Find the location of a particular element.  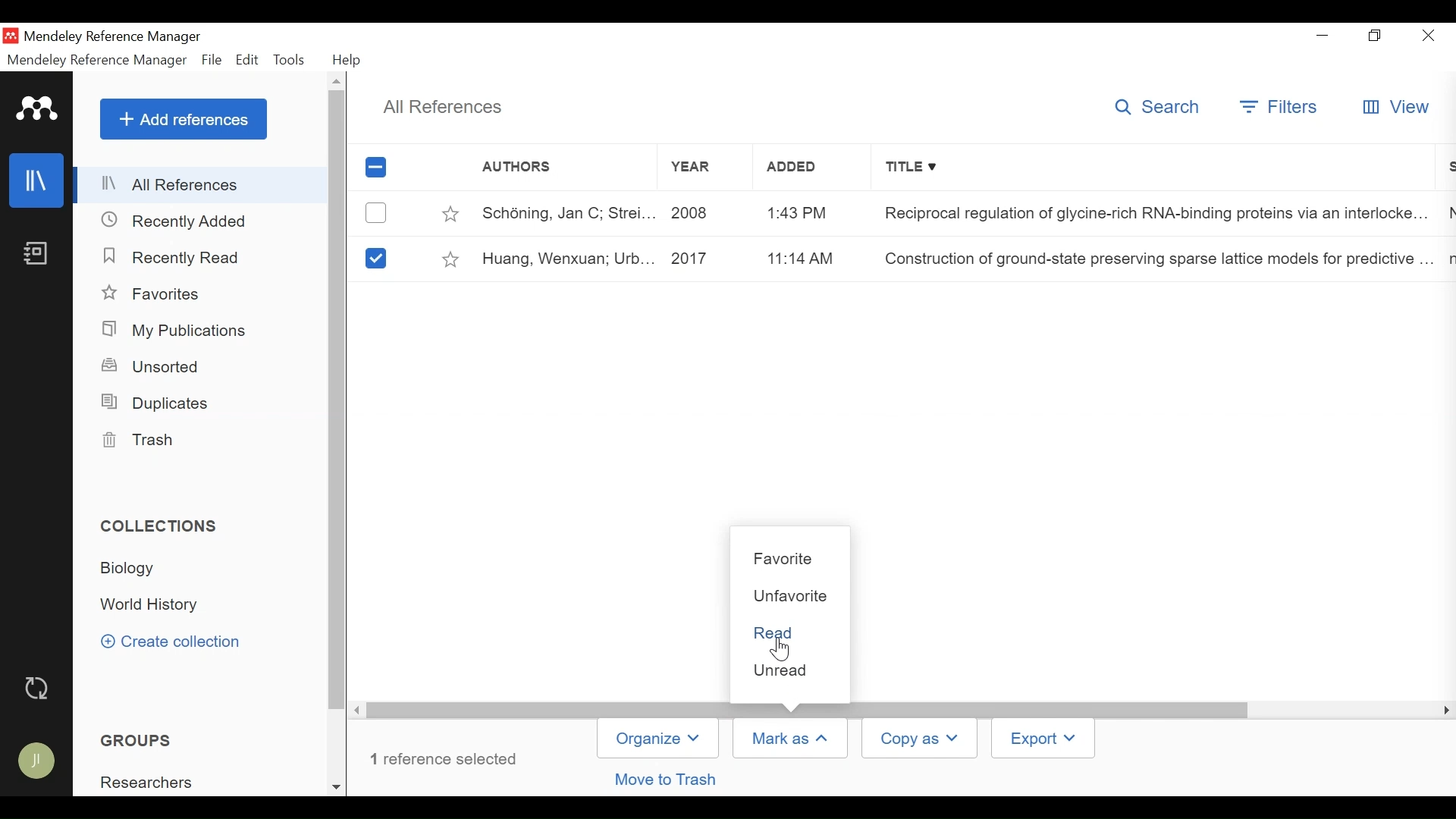

1:43 PM is located at coordinates (797, 212).